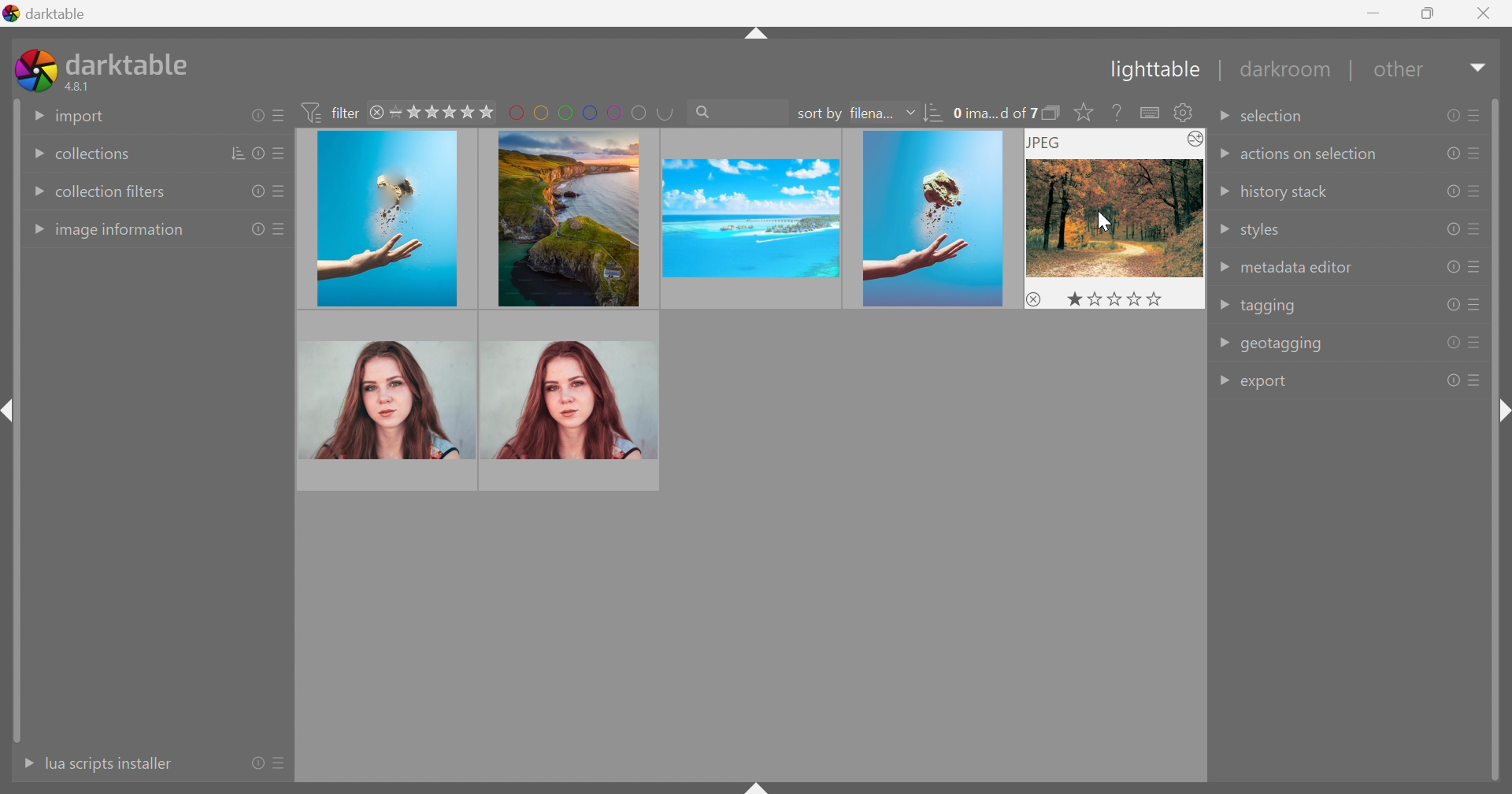  What do you see at coordinates (35, 192) in the screenshot?
I see `Drop Down` at bounding box center [35, 192].